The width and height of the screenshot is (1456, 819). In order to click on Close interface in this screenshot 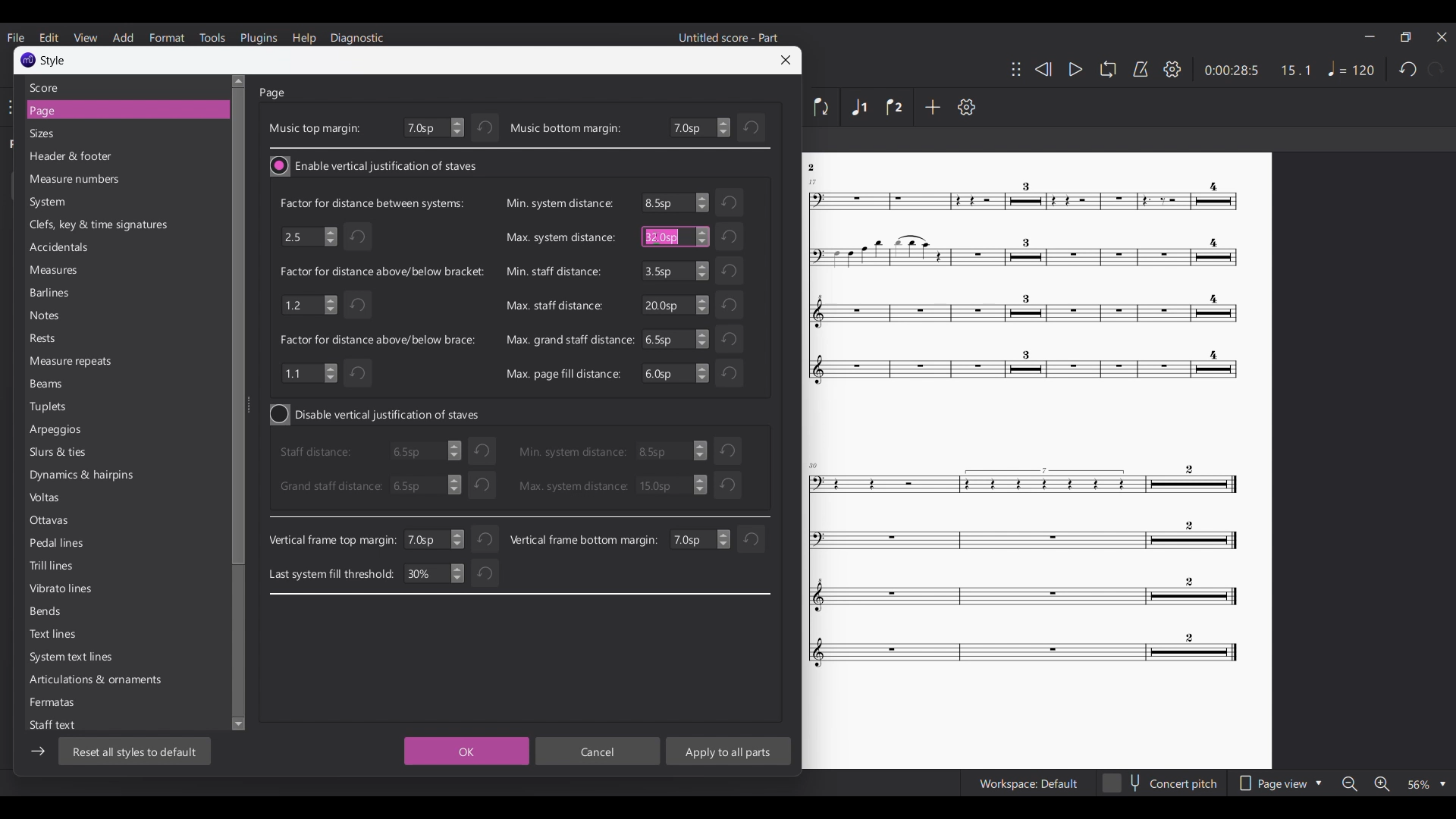, I will do `click(1442, 36)`.